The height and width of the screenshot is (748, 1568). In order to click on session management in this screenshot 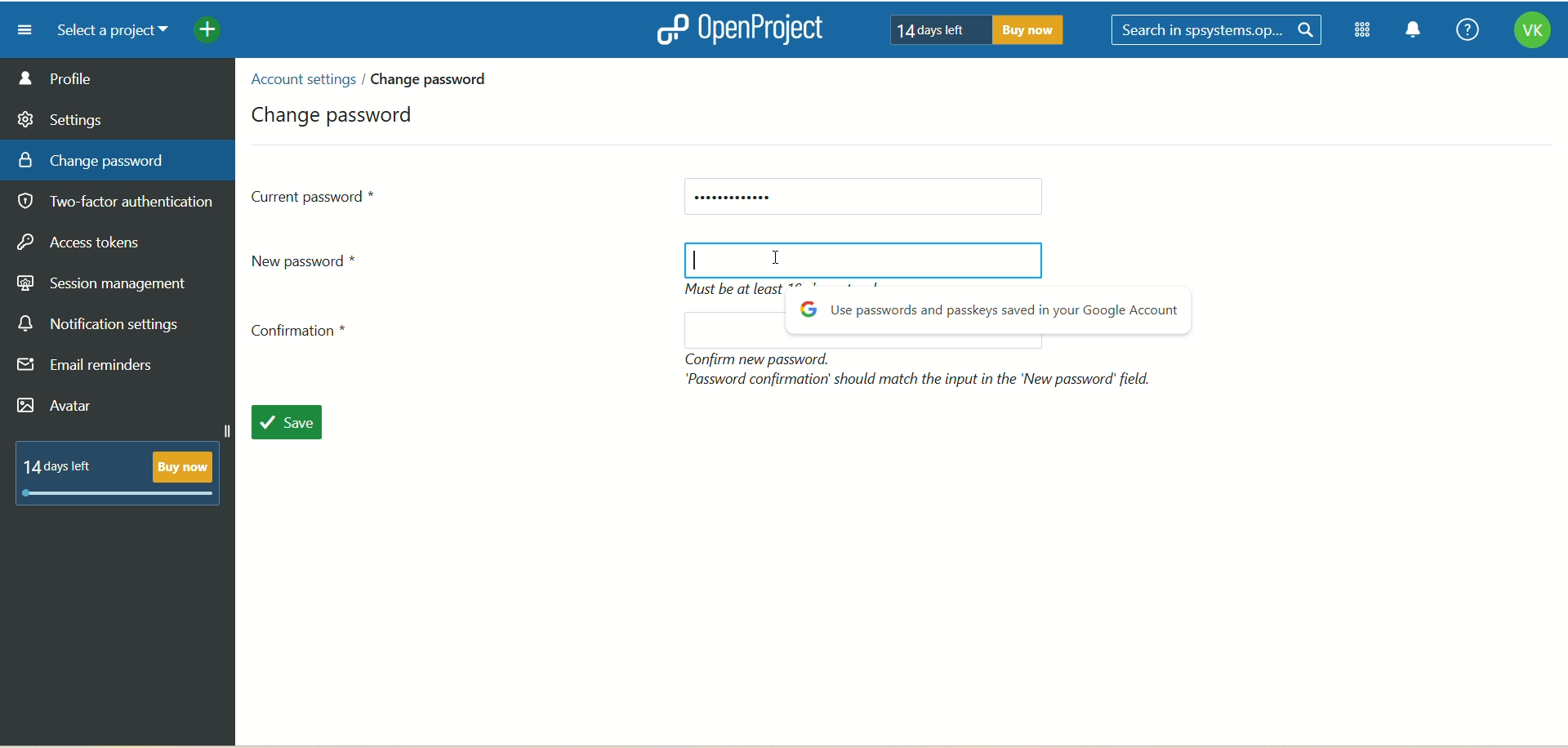, I will do `click(104, 281)`.